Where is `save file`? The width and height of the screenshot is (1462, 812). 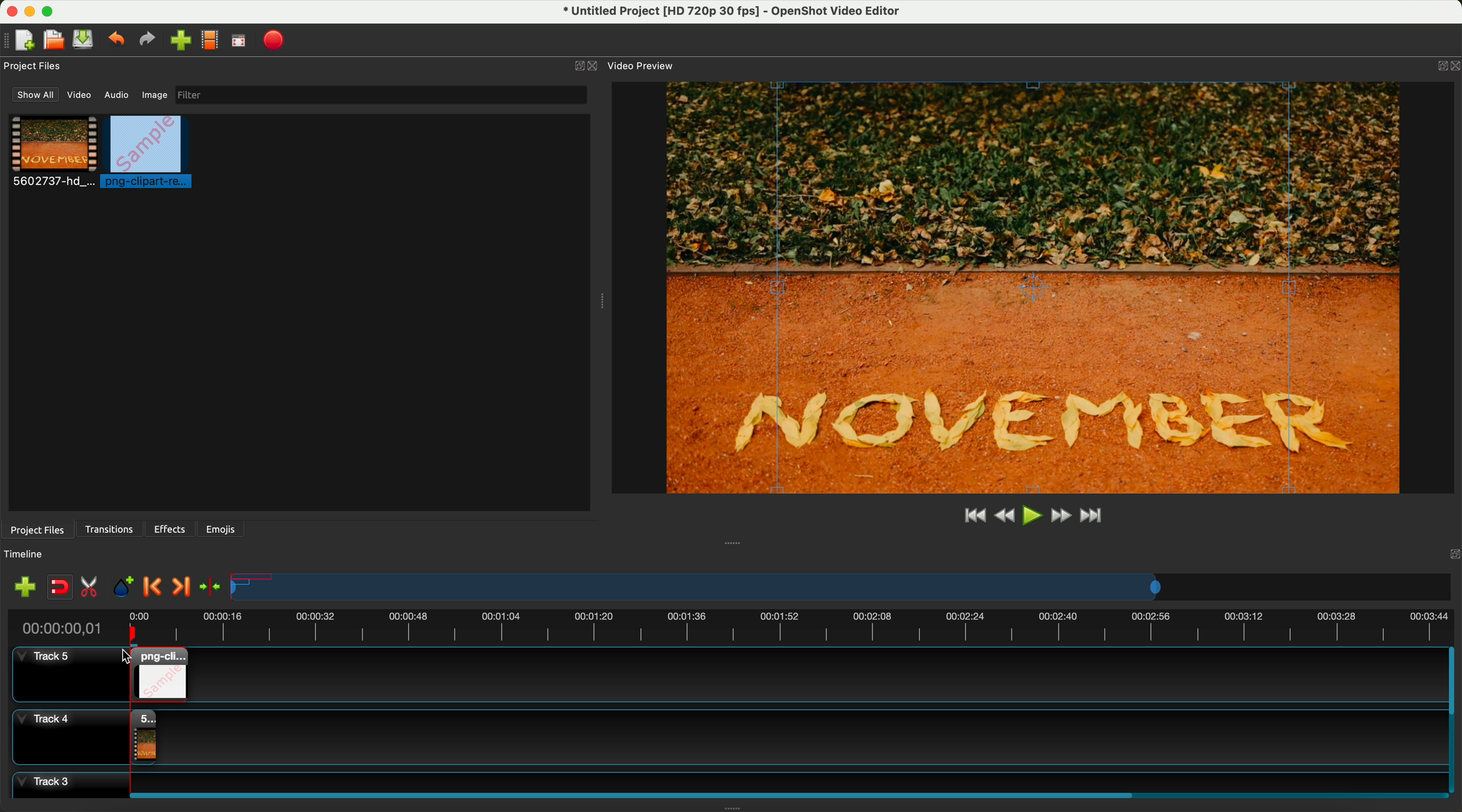 save file is located at coordinates (85, 40).